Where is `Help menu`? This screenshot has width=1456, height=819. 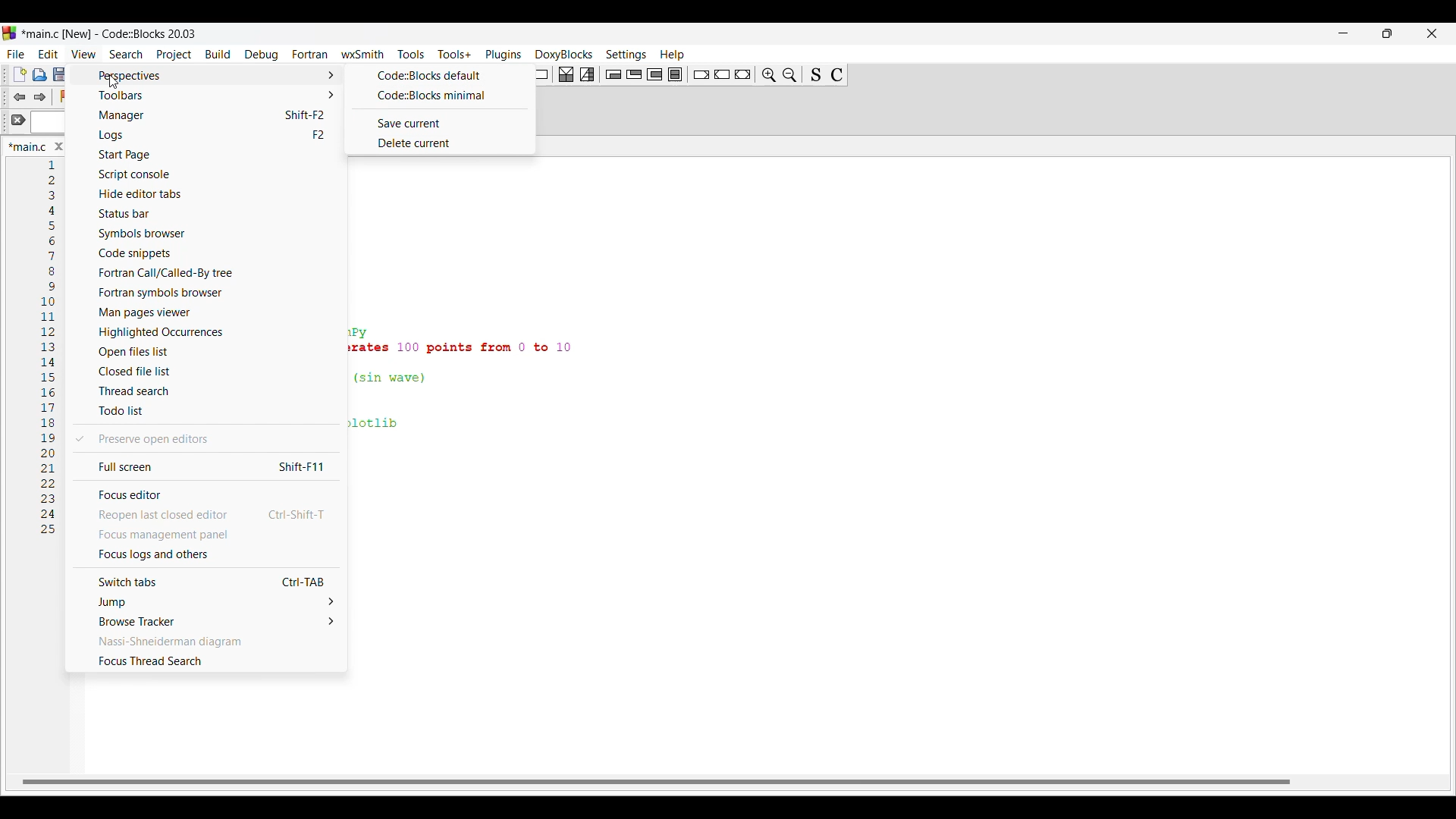 Help menu is located at coordinates (673, 55).